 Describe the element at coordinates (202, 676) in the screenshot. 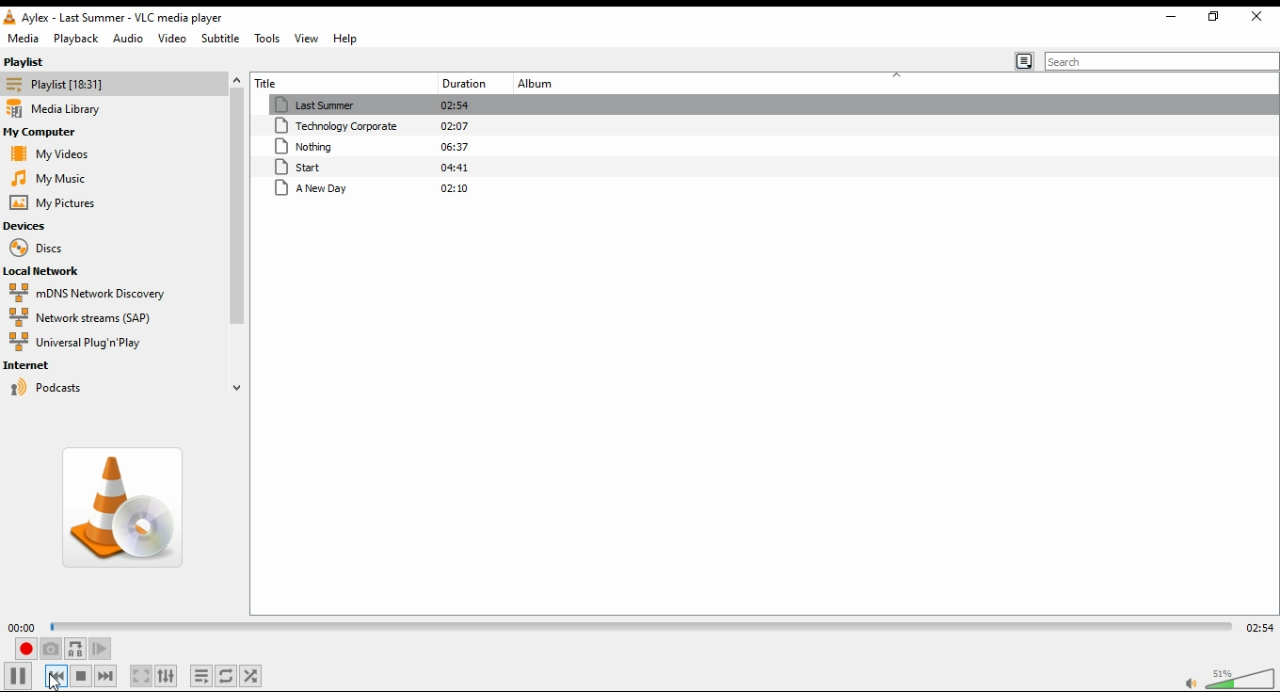

I see `toggle playlist` at that location.